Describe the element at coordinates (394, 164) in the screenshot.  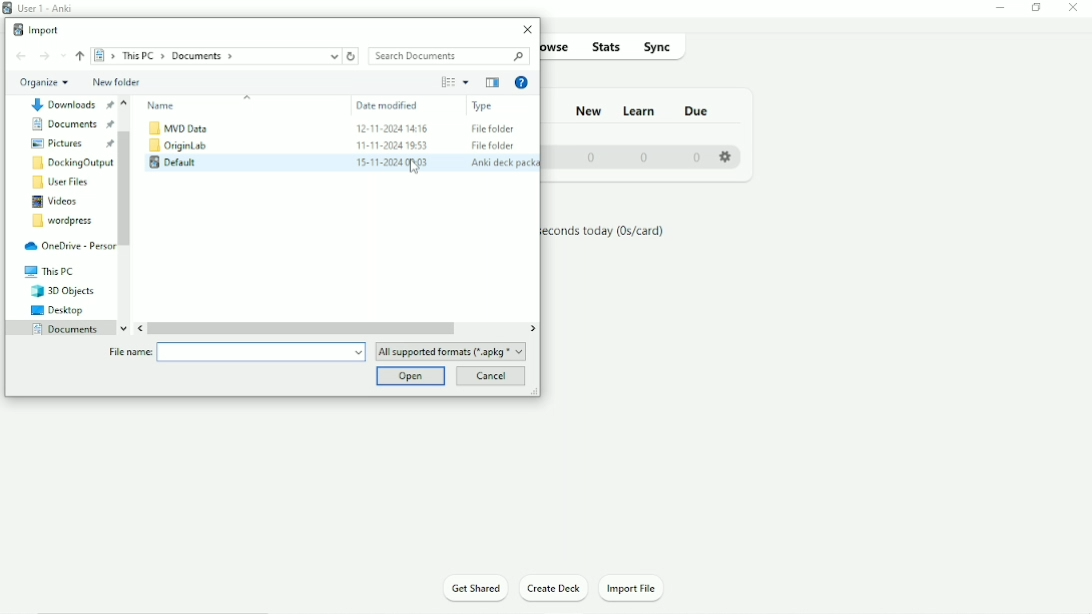
I see `15-11-2024    00:03` at that location.